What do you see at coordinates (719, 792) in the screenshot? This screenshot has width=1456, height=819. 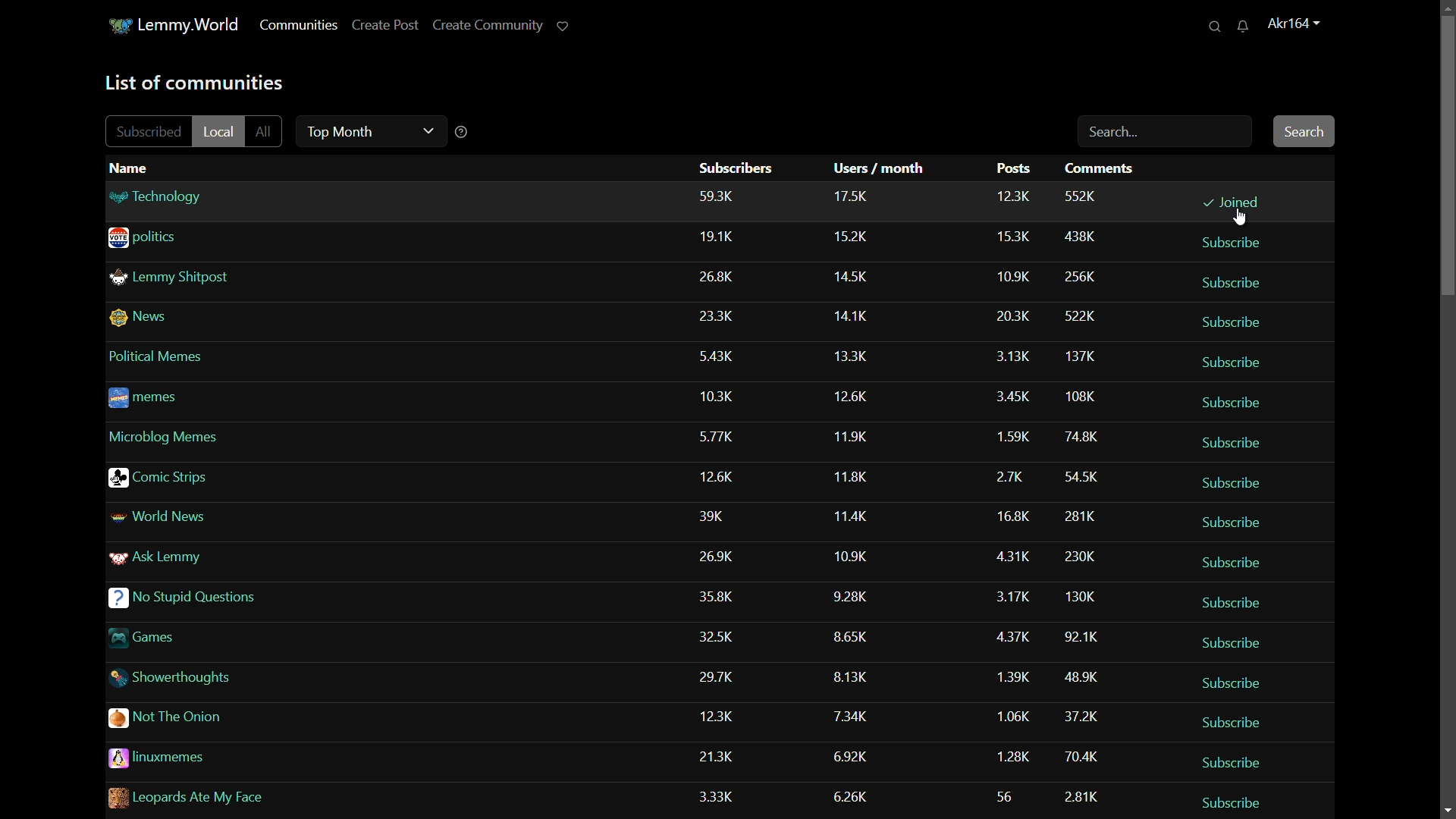 I see `subscribers` at bounding box center [719, 792].